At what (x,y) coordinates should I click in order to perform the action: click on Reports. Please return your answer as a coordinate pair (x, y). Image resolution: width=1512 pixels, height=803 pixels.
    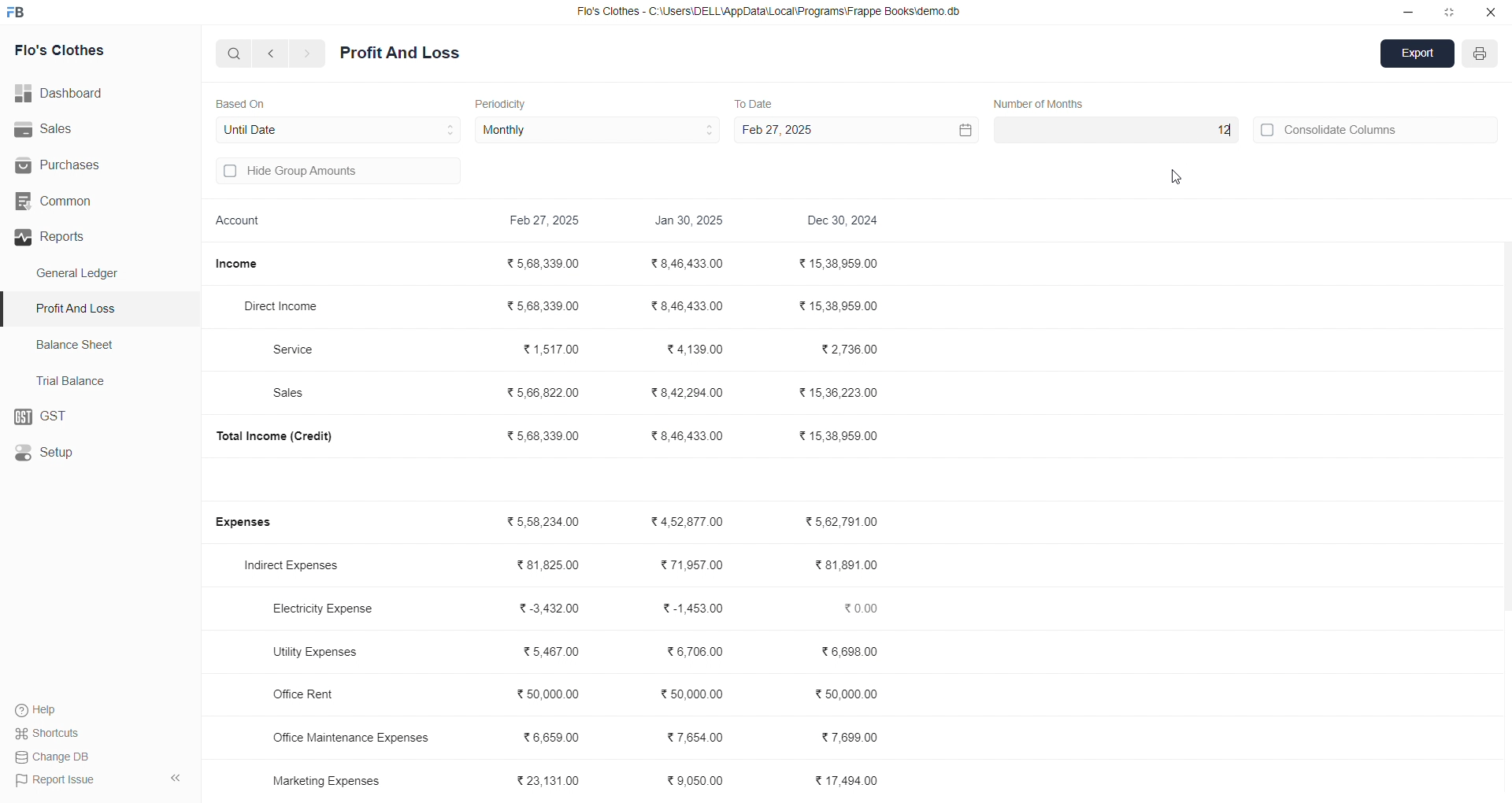
    Looking at the image, I should click on (94, 237).